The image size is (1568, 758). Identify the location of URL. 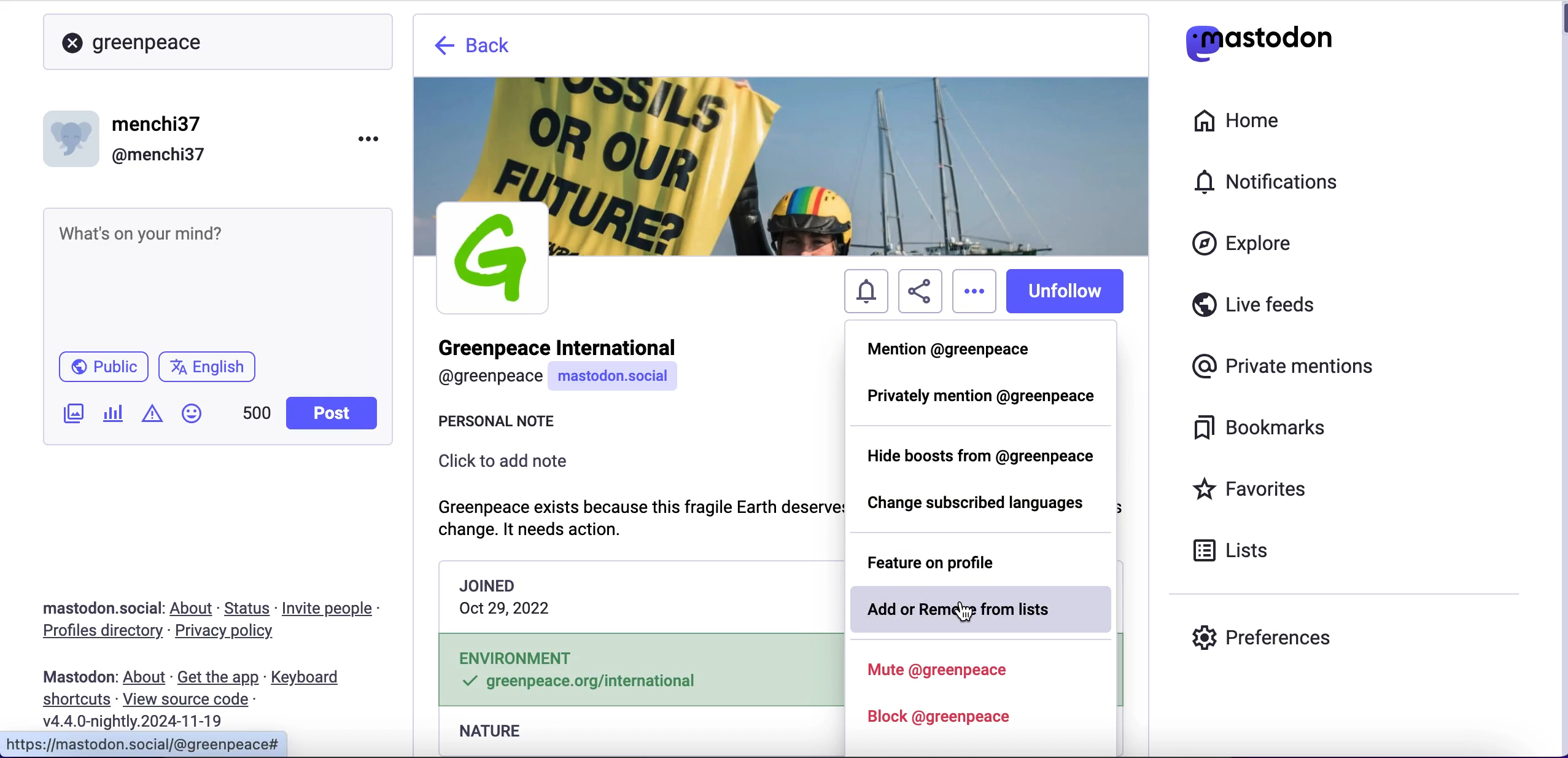
(144, 743).